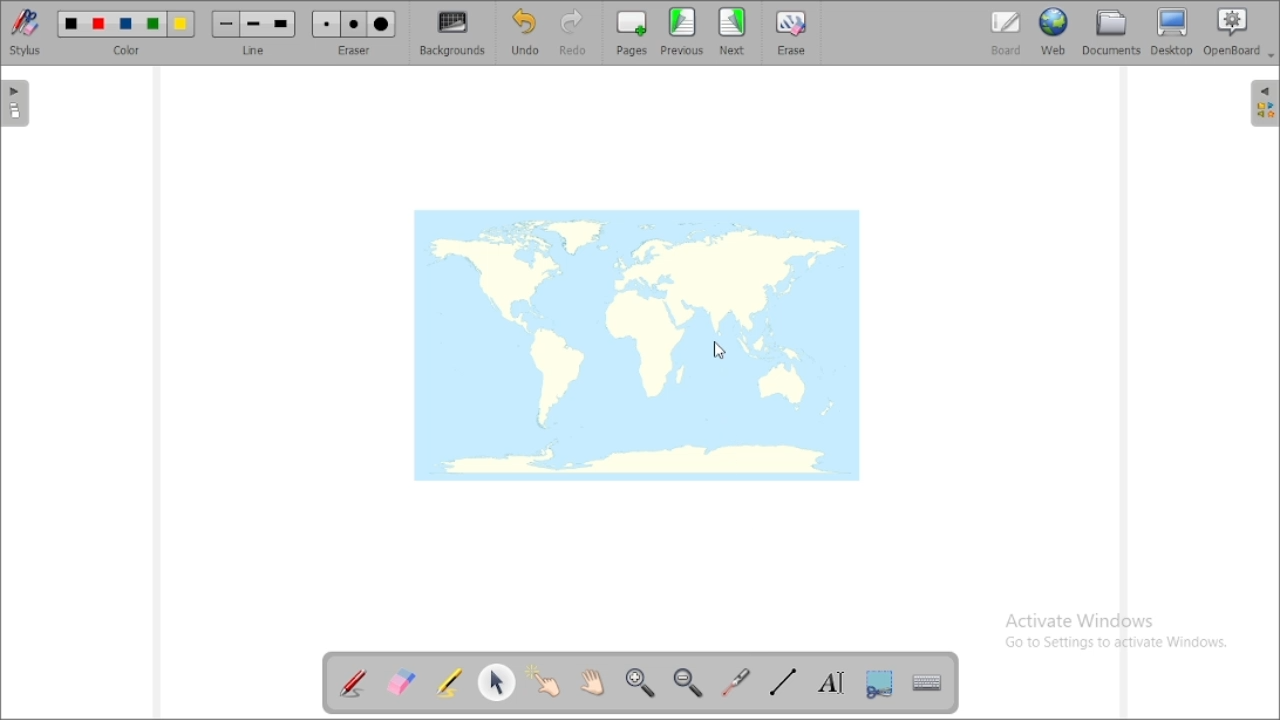  Describe the element at coordinates (1006, 33) in the screenshot. I see `board` at that location.